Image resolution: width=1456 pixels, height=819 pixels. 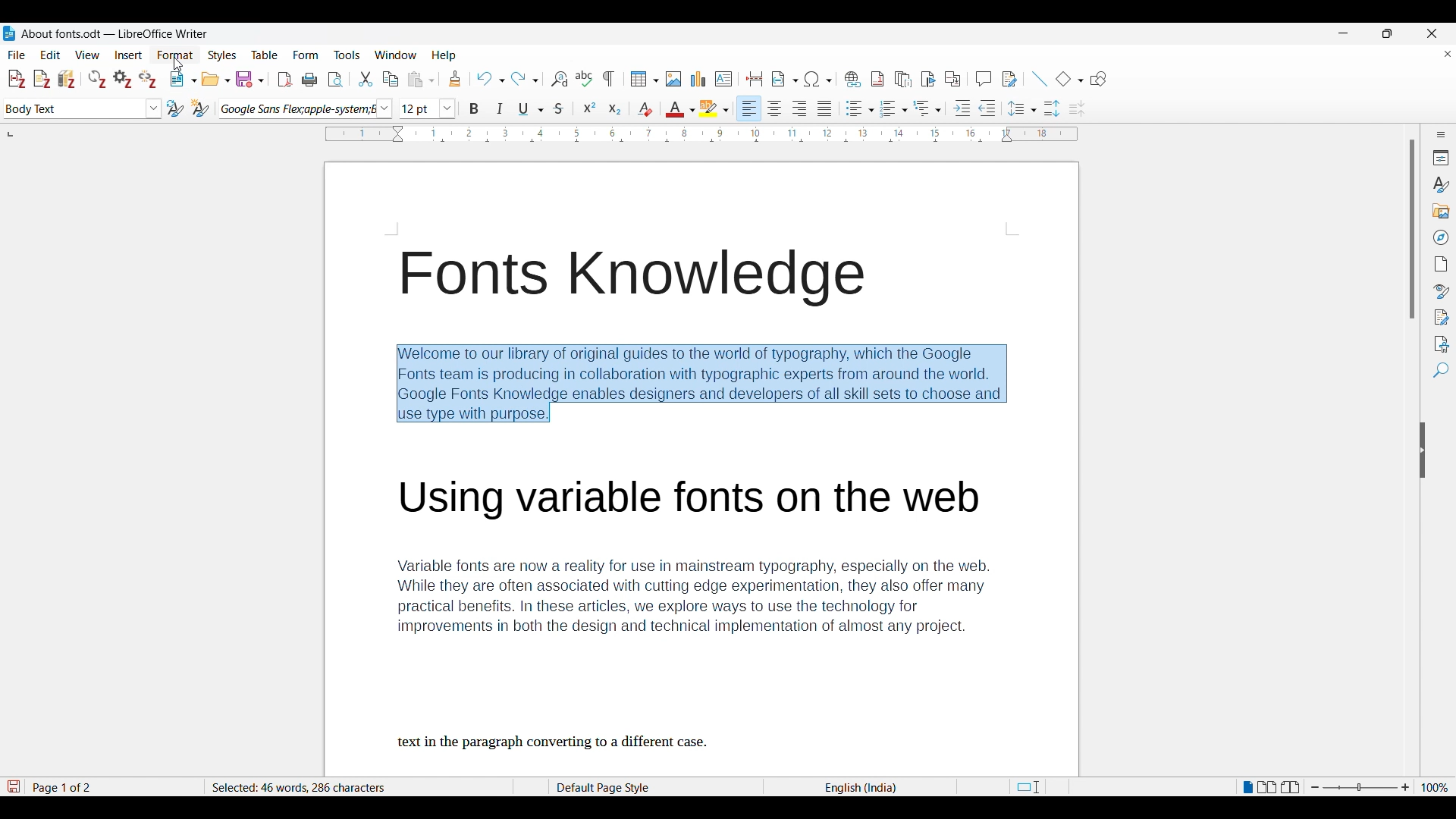 What do you see at coordinates (962, 108) in the screenshot?
I see `Increase indent` at bounding box center [962, 108].